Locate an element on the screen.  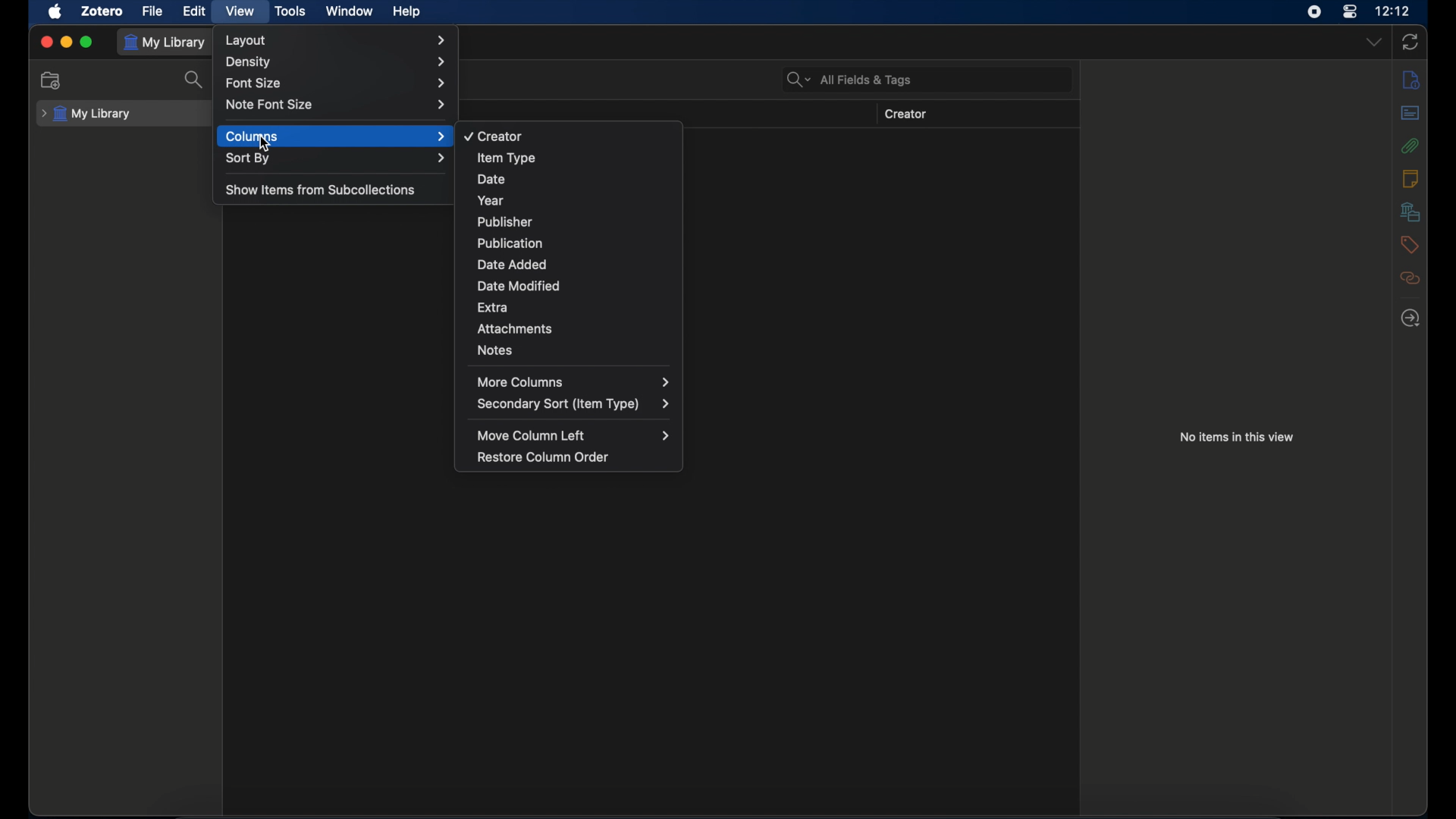
view is located at coordinates (238, 11).